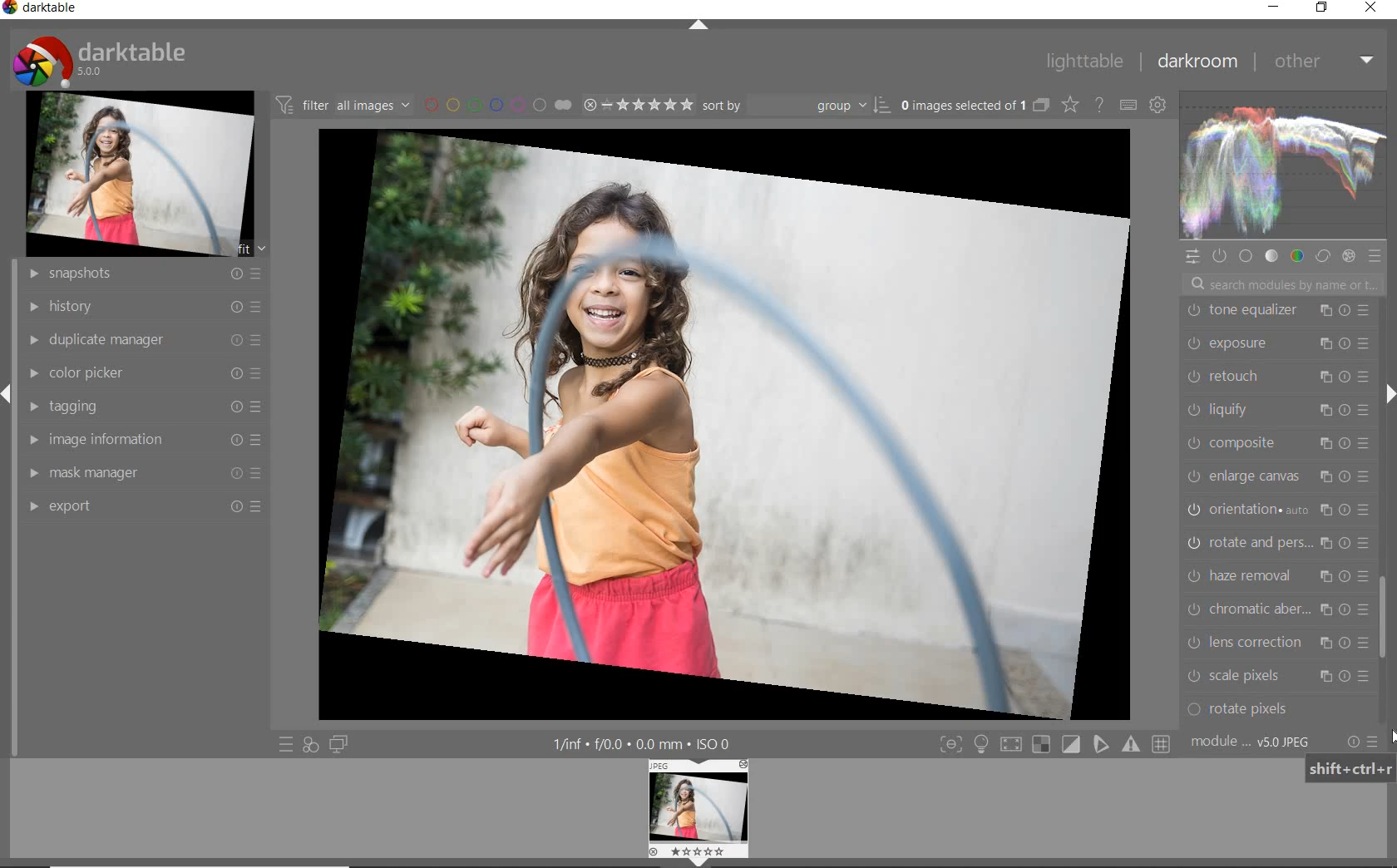 The height and width of the screenshot is (868, 1397). I want to click on filter images, so click(343, 104).